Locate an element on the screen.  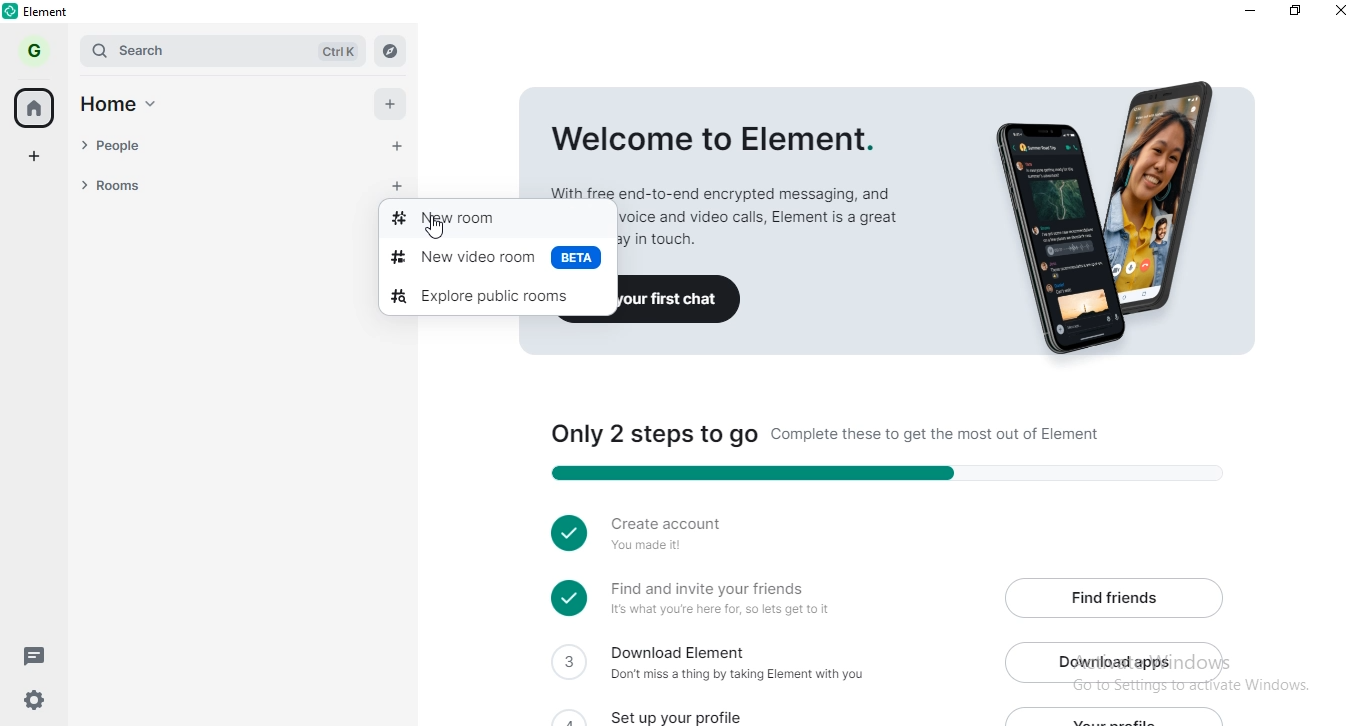
new video room is located at coordinates (494, 261).